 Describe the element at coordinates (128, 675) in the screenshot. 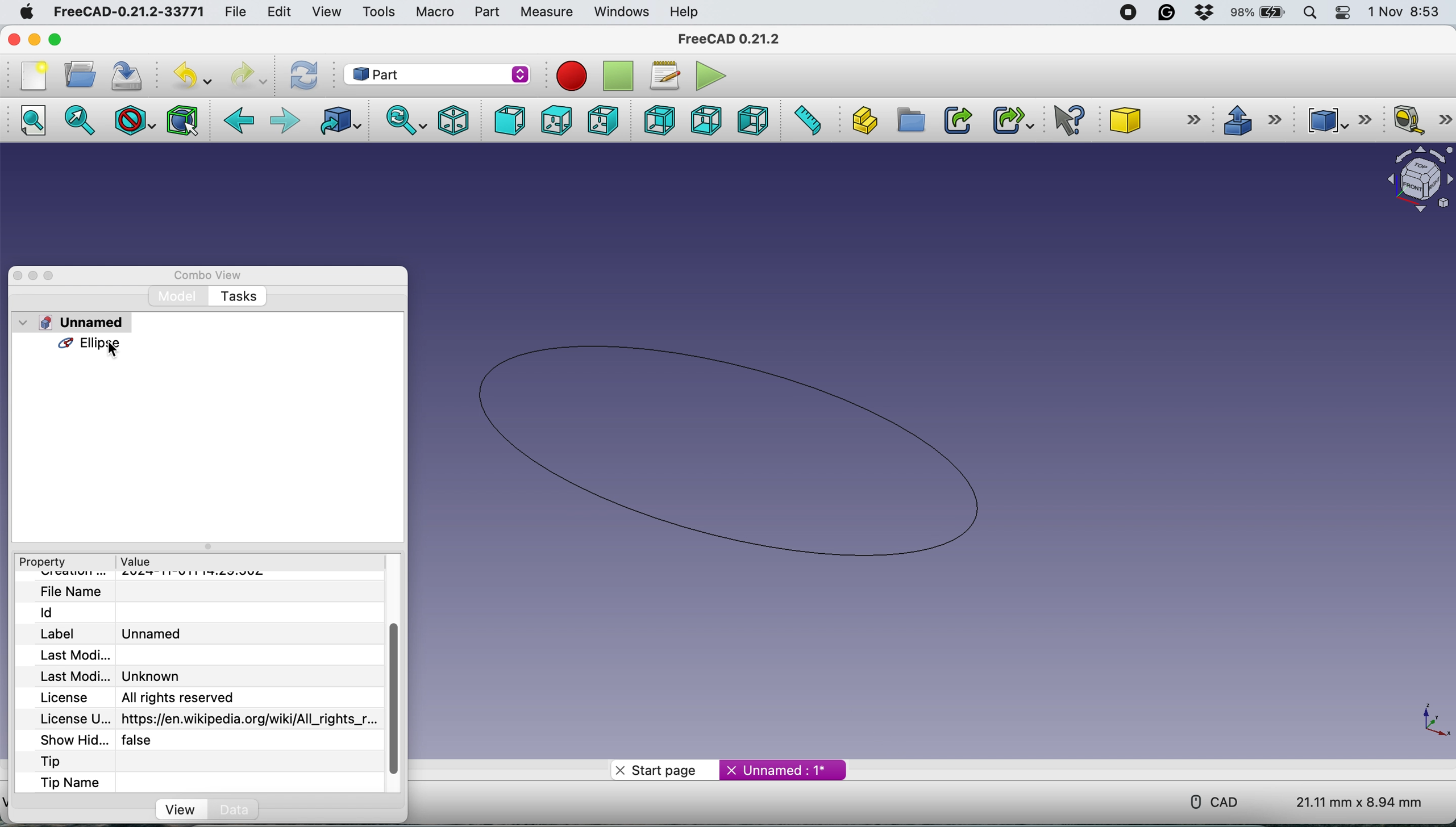

I see `last modified` at that location.